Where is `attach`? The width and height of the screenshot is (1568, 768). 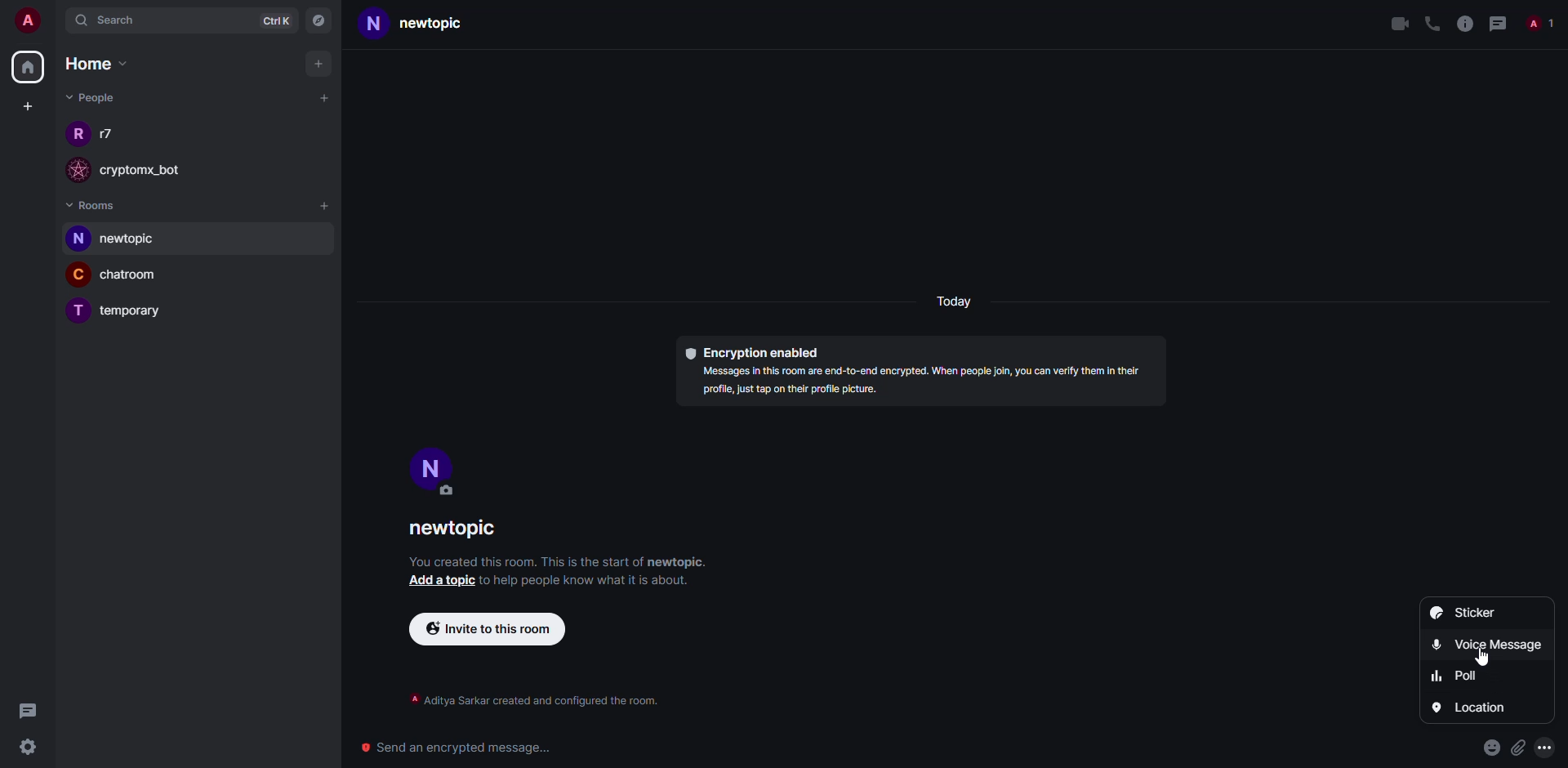
attach is located at coordinates (1518, 750).